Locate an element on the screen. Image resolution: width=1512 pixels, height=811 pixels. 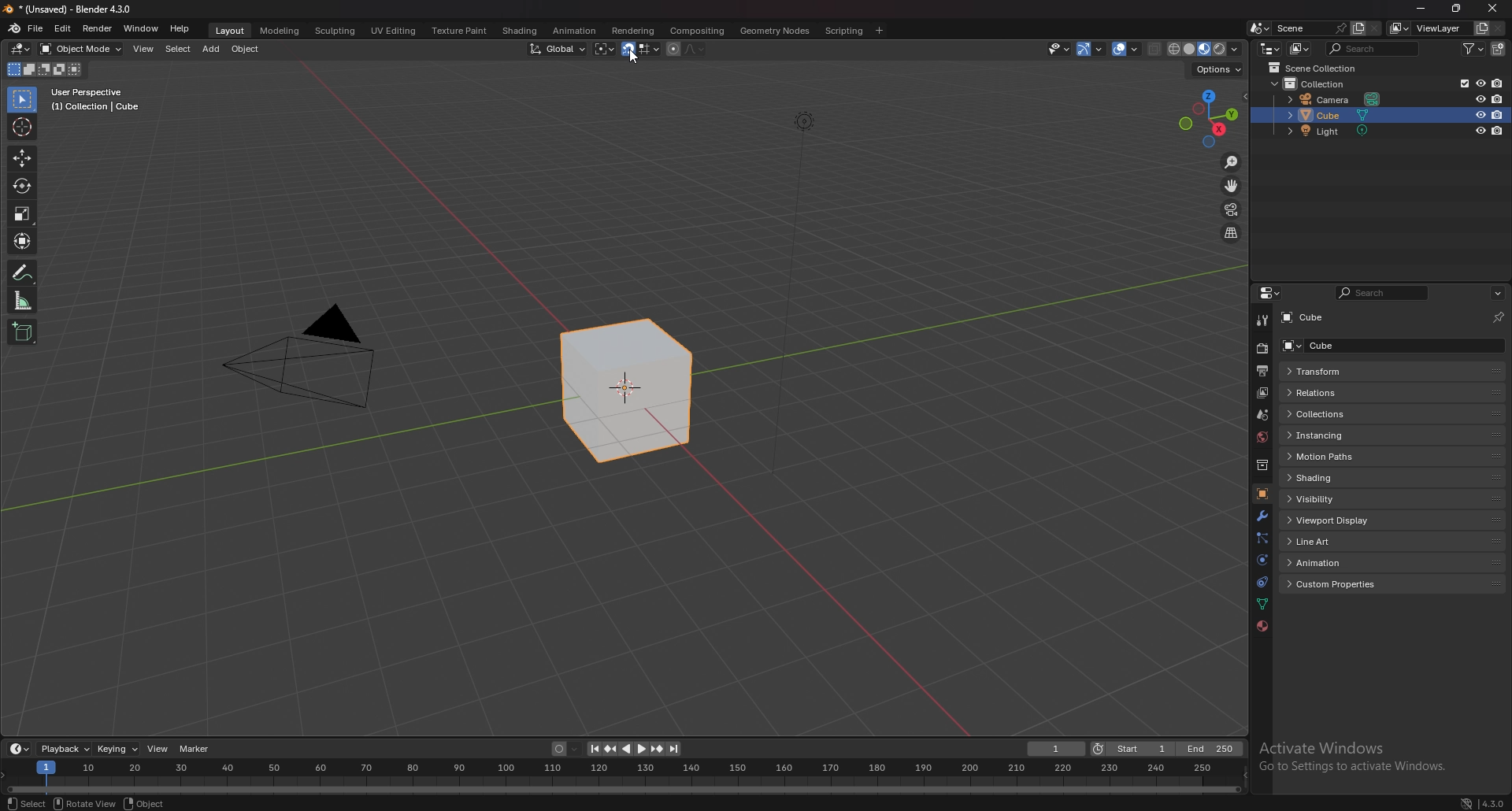
collections is located at coordinates (1336, 414).